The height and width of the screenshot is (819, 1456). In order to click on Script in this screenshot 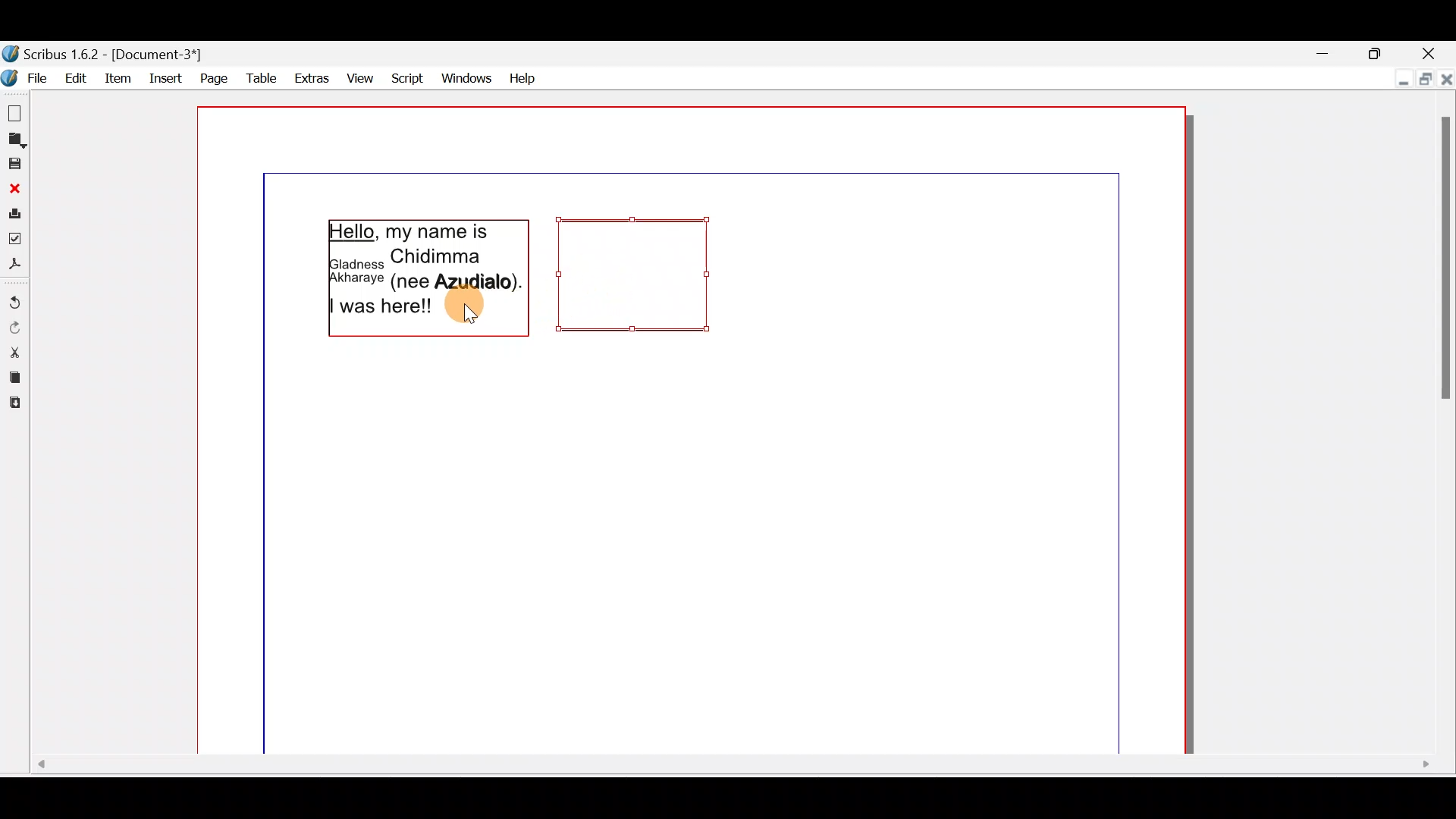, I will do `click(408, 76)`.